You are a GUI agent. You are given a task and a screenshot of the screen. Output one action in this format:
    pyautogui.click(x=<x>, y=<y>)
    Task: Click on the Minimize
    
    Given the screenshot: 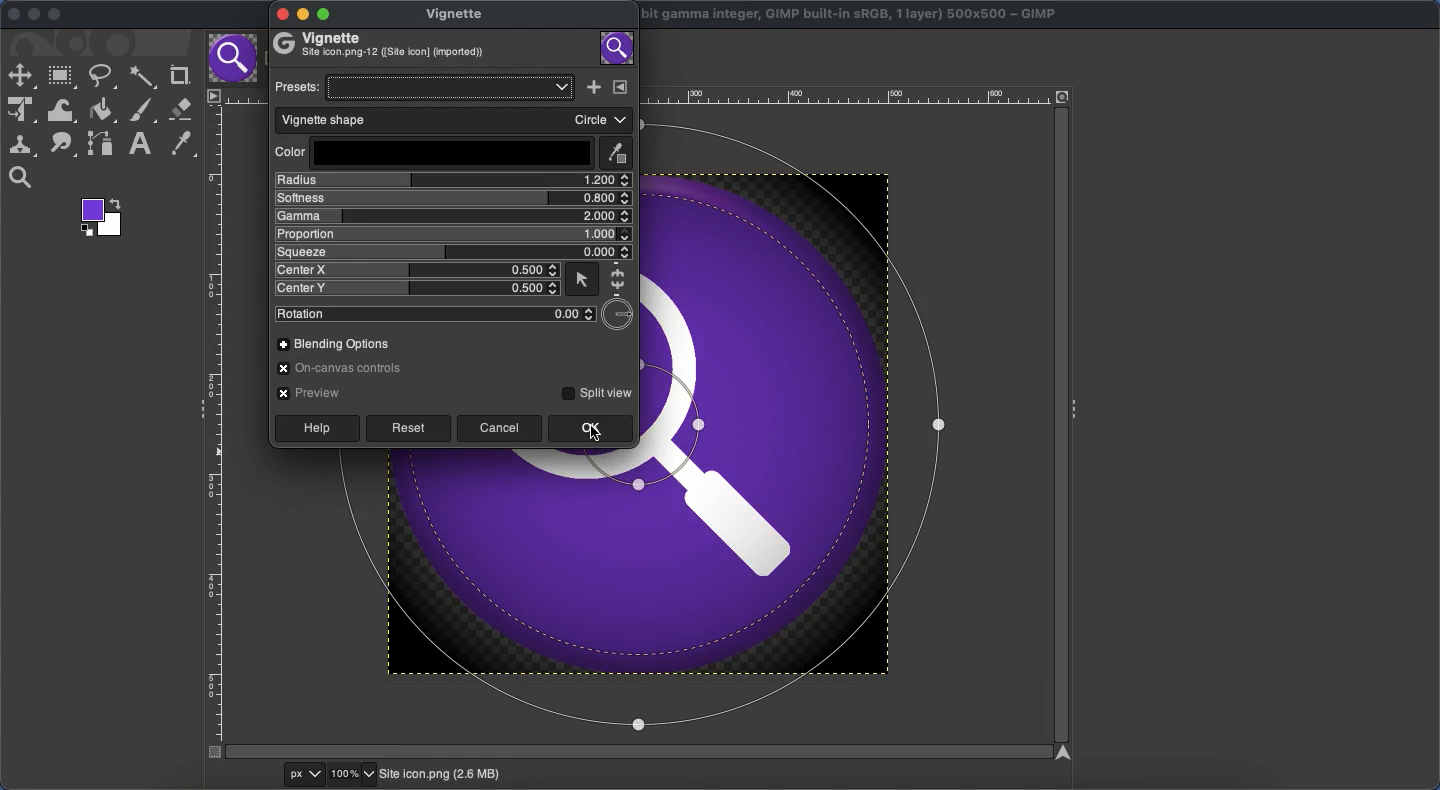 What is the action you would take?
    pyautogui.click(x=34, y=15)
    